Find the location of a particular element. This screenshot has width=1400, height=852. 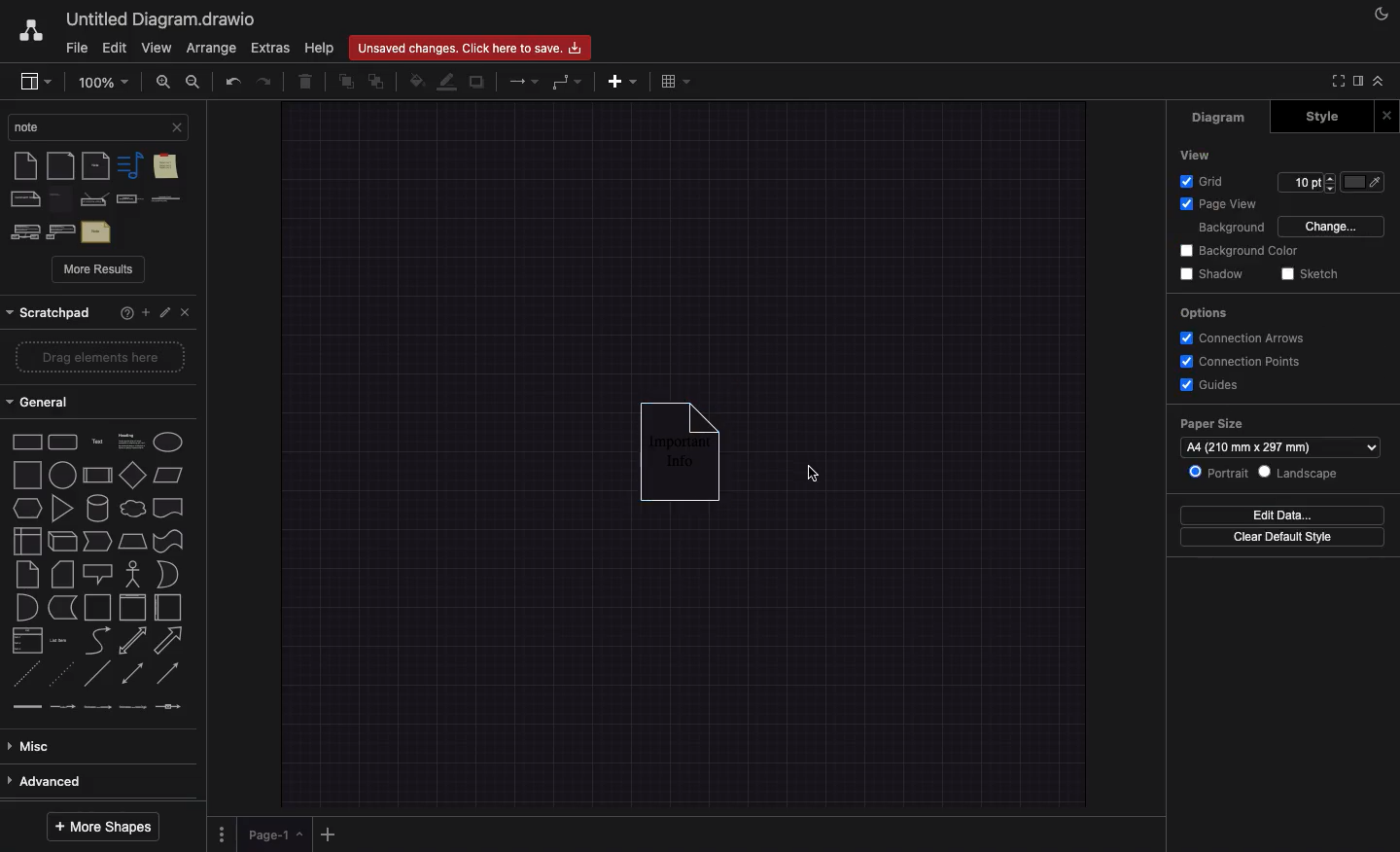

Night mode is located at coordinates (1384, 12).